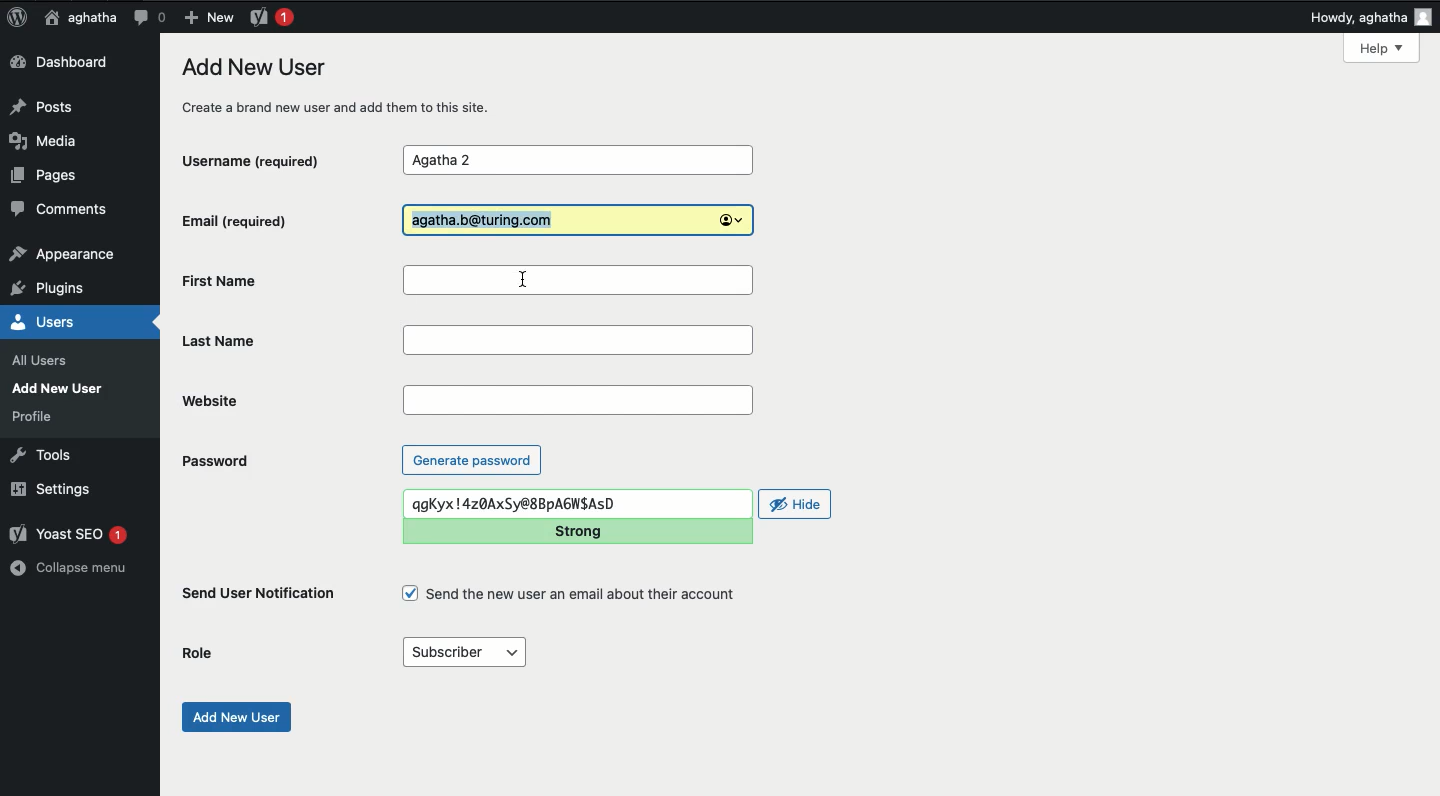  I want to click on Add new user, so click(234, 717).